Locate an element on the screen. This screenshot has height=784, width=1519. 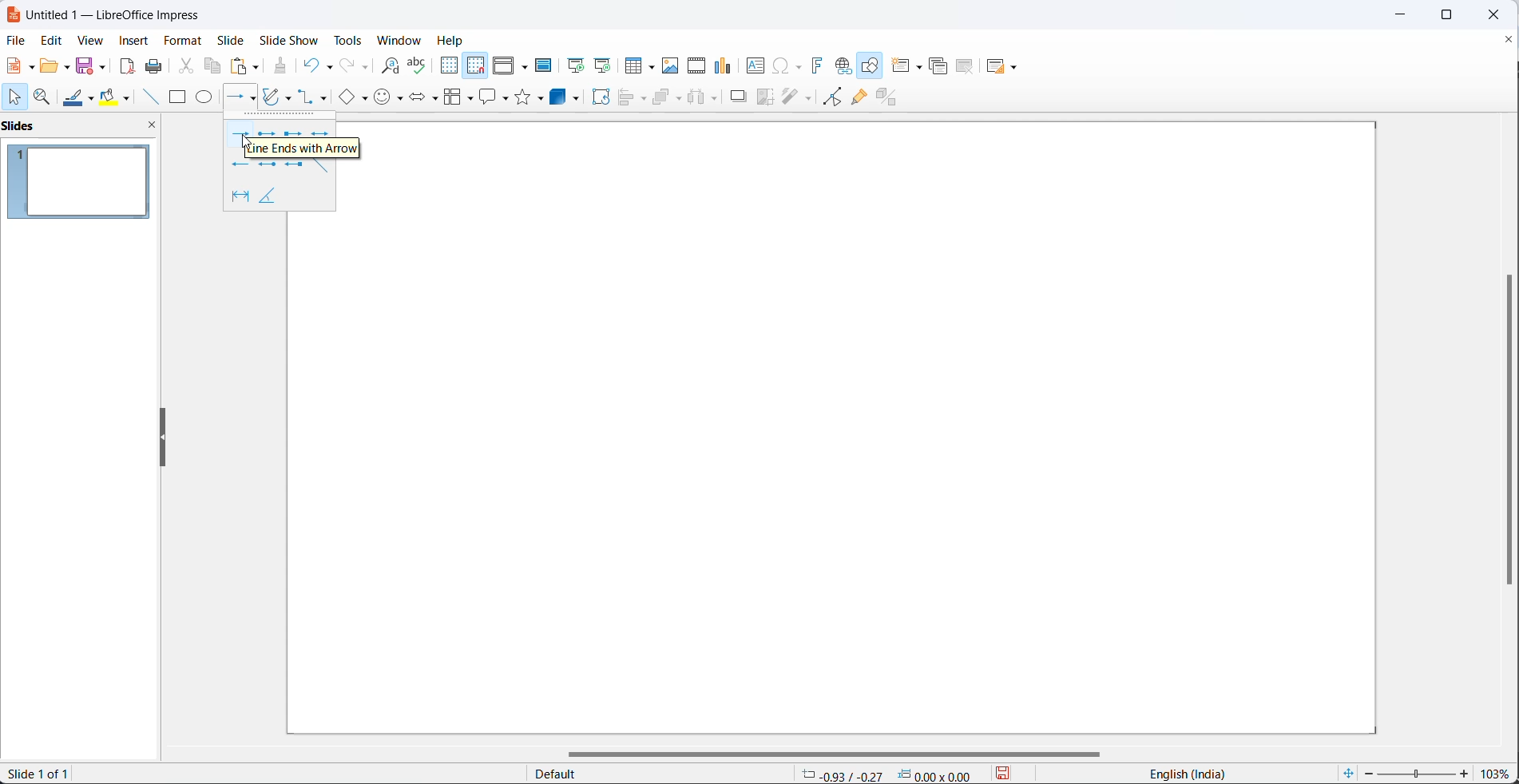
tools is located at coordinates (347, 40).